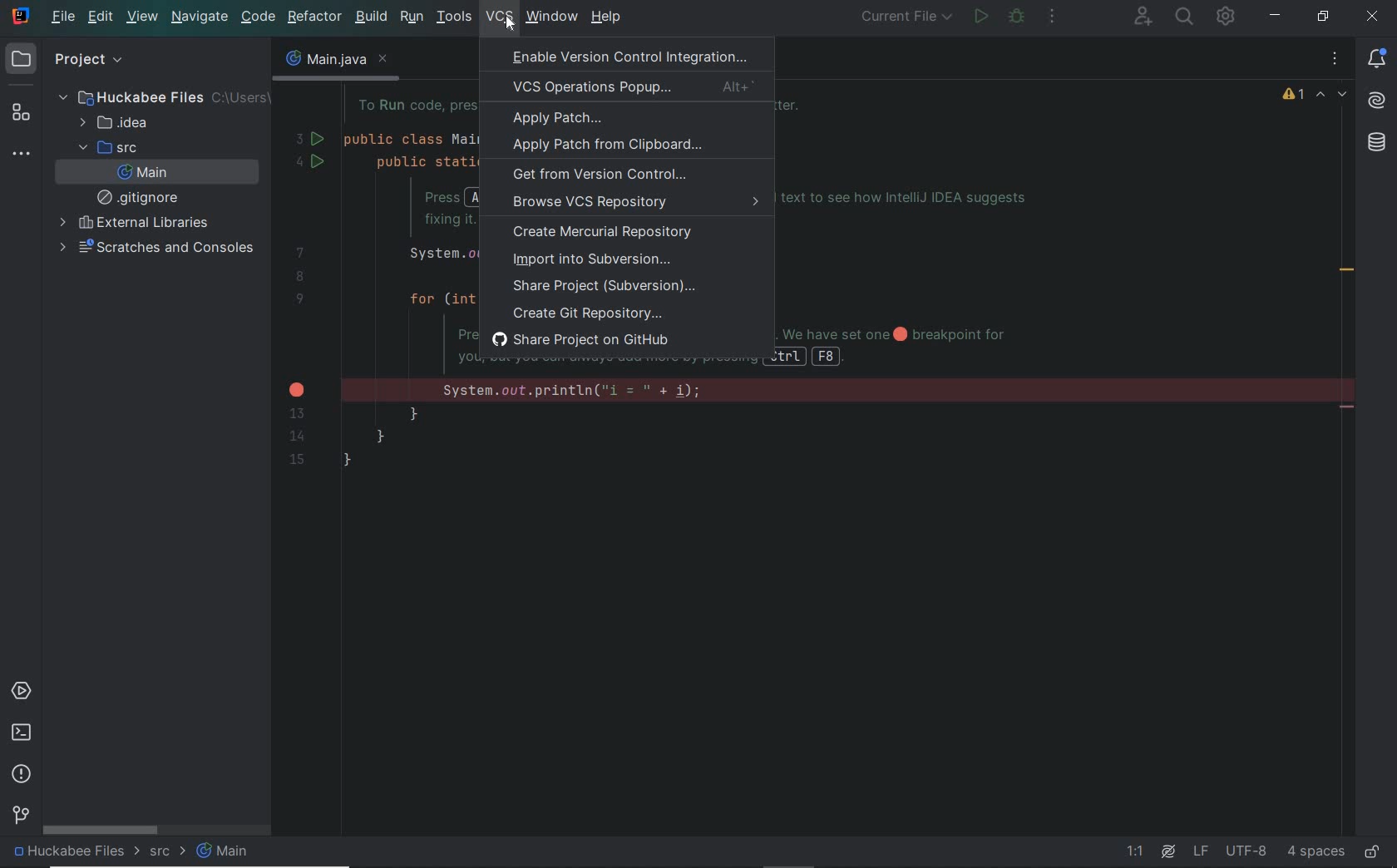 The image size is (1397, 868). Describe the element at coordinates (143, 18) in the screenshot. I see `view` at that location.